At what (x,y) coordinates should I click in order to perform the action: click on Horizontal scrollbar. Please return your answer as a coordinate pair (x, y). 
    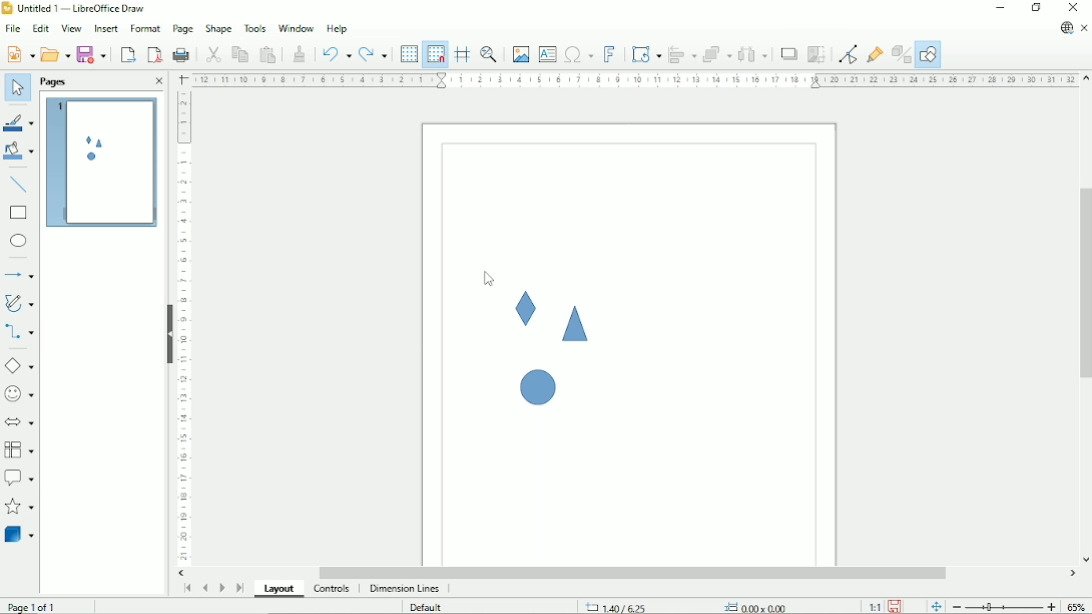
    Looking at the image, I should click on (635, 573).